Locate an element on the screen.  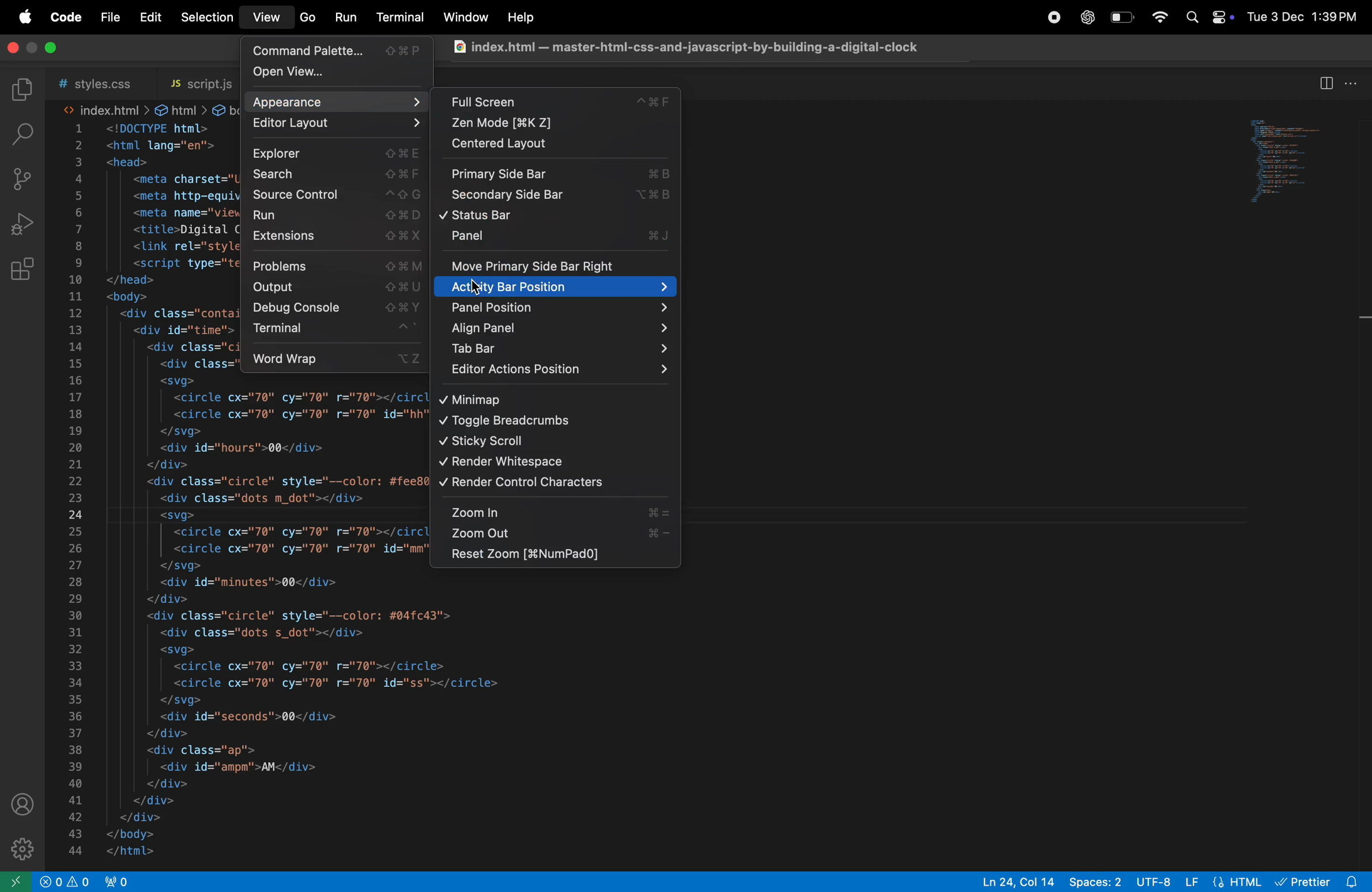
date and time is located at coordinates (1305, 17).